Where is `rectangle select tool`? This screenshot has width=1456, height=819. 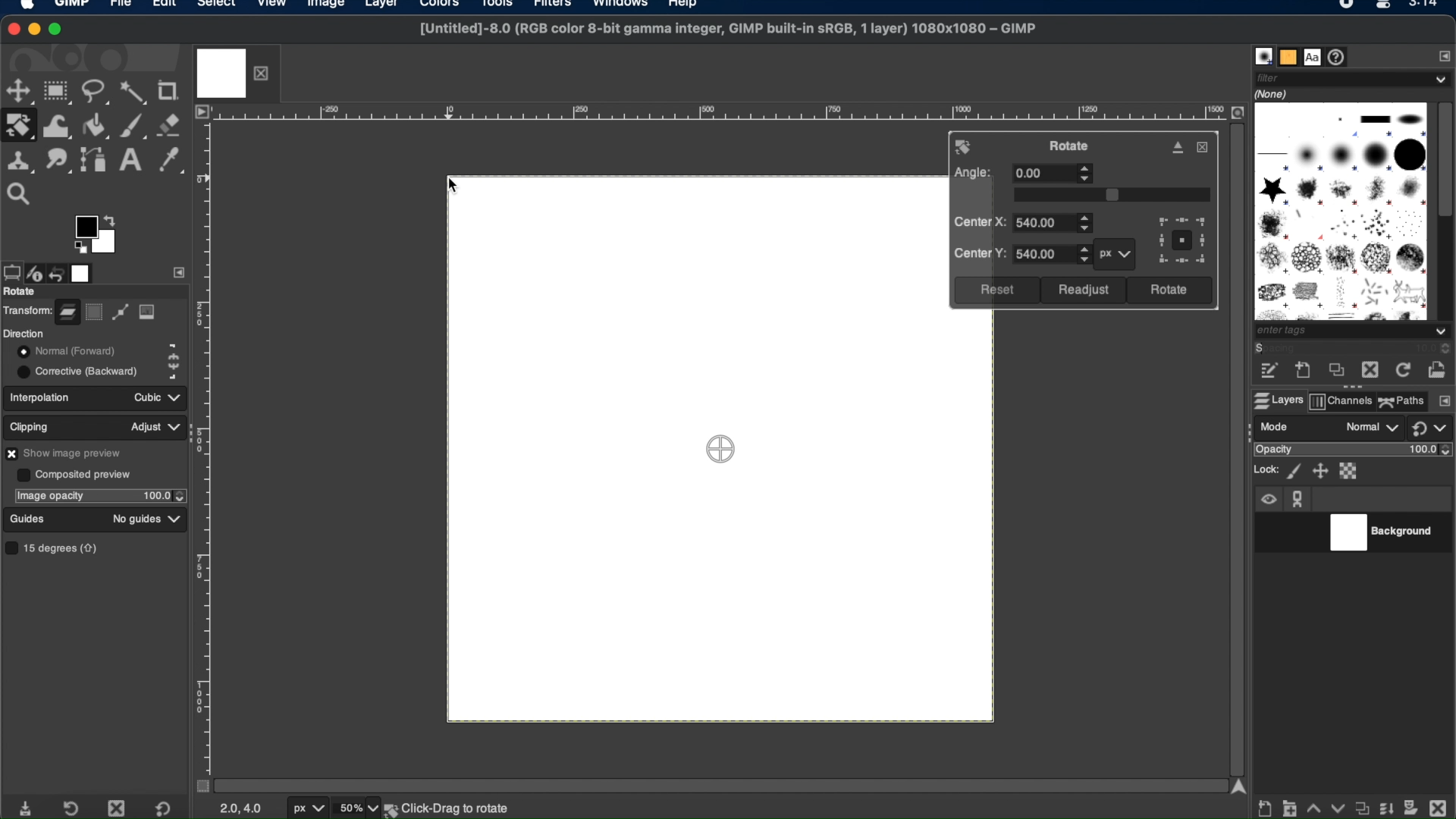
rectangle select tool is located at coordinates (58, 92).